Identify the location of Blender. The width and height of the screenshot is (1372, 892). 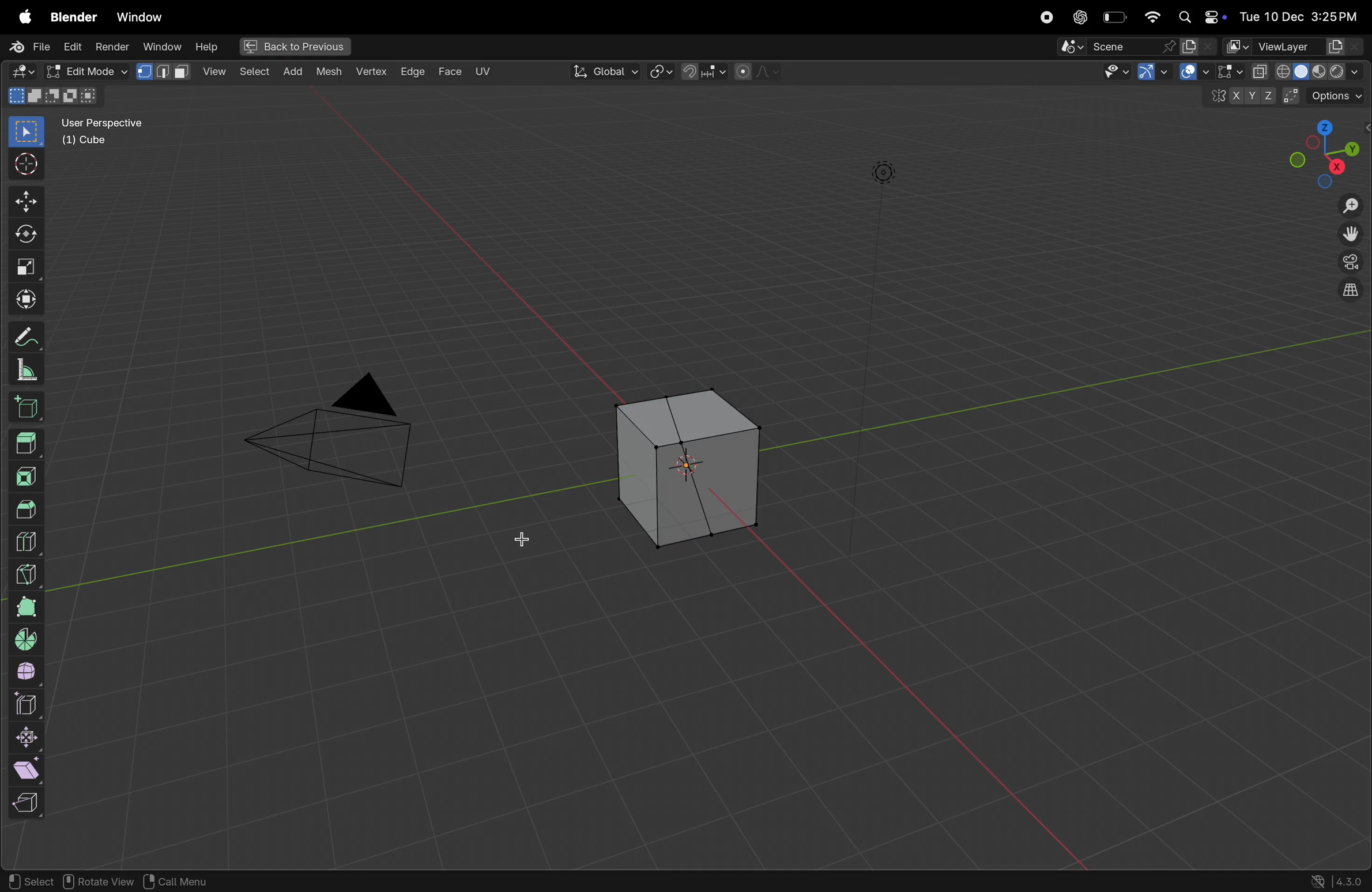
(71, 16).